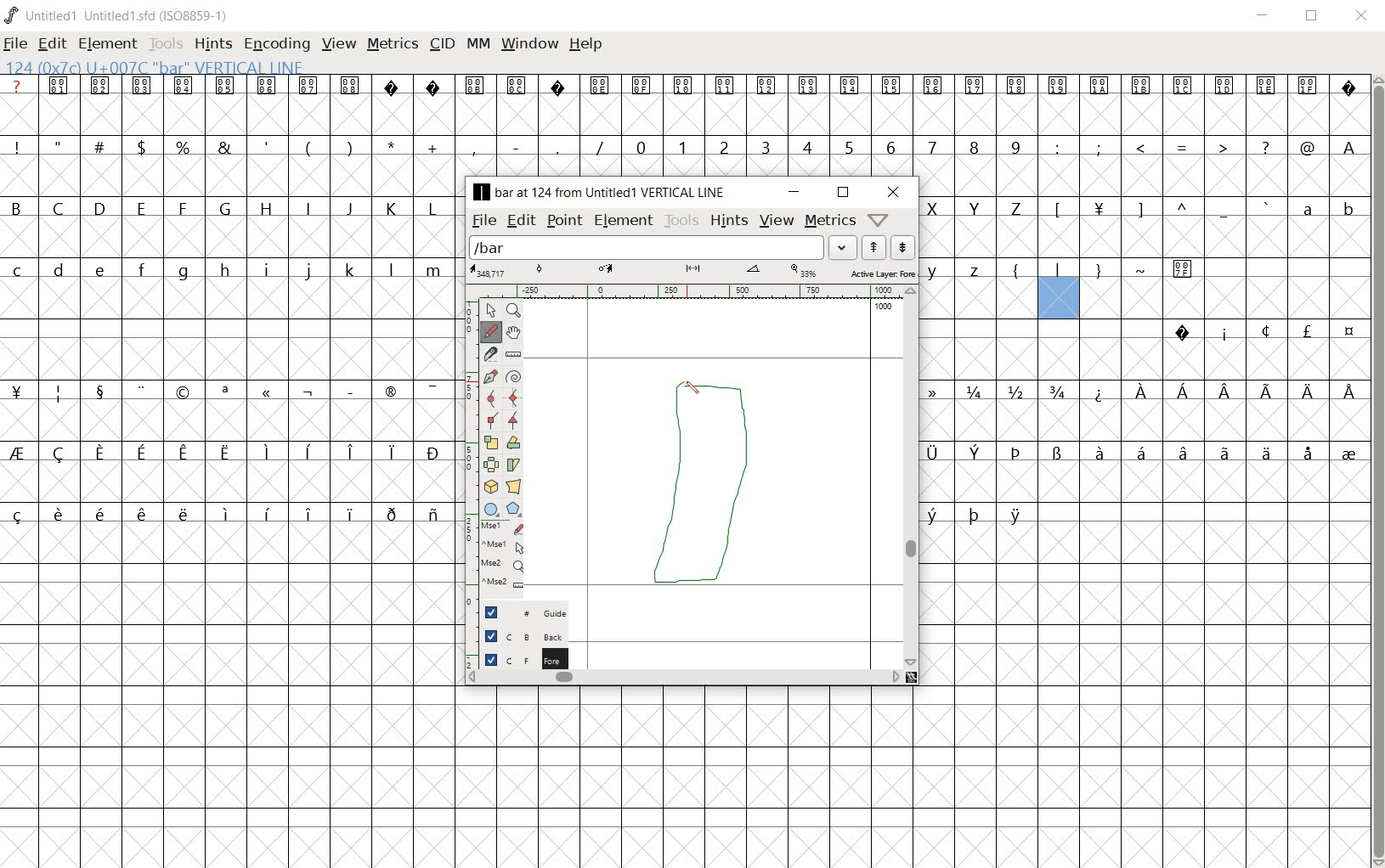 Image resolution: width=1385 pixels, height=868 pixels. I want to click on minimize, so click(1263, 16).